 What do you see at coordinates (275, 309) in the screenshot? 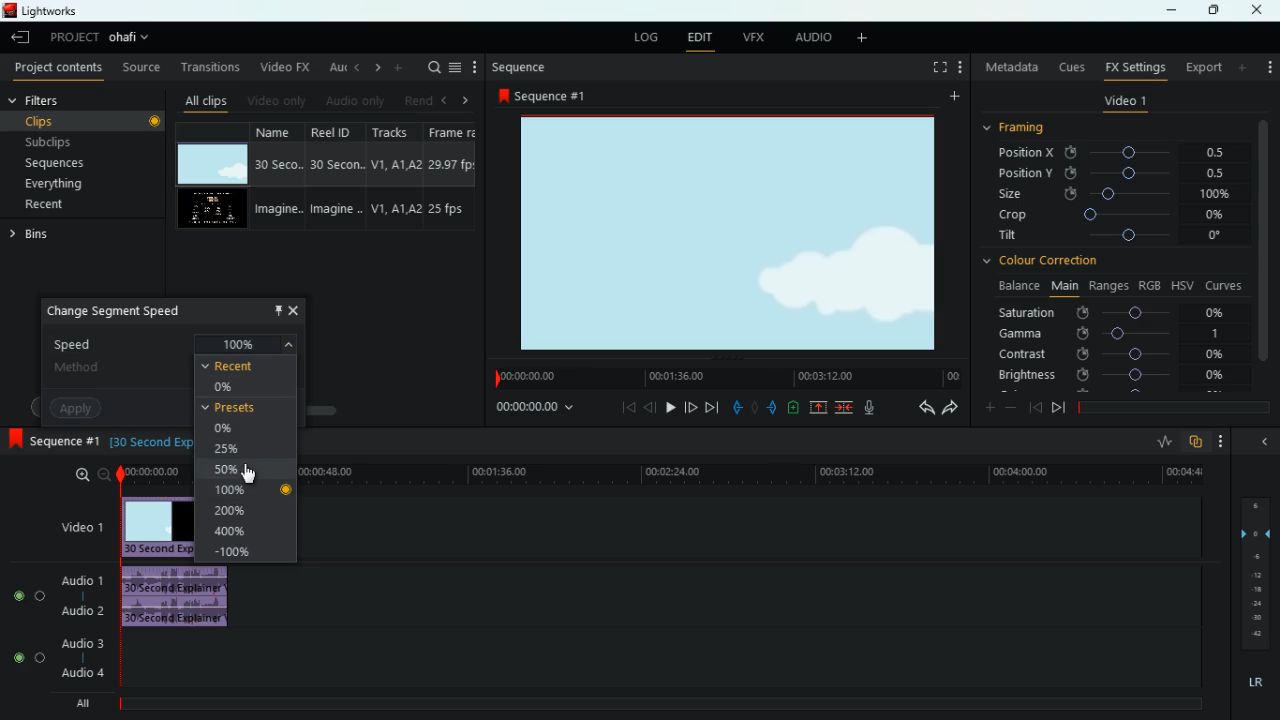
I see `pin` at bounding box center [275, 309].